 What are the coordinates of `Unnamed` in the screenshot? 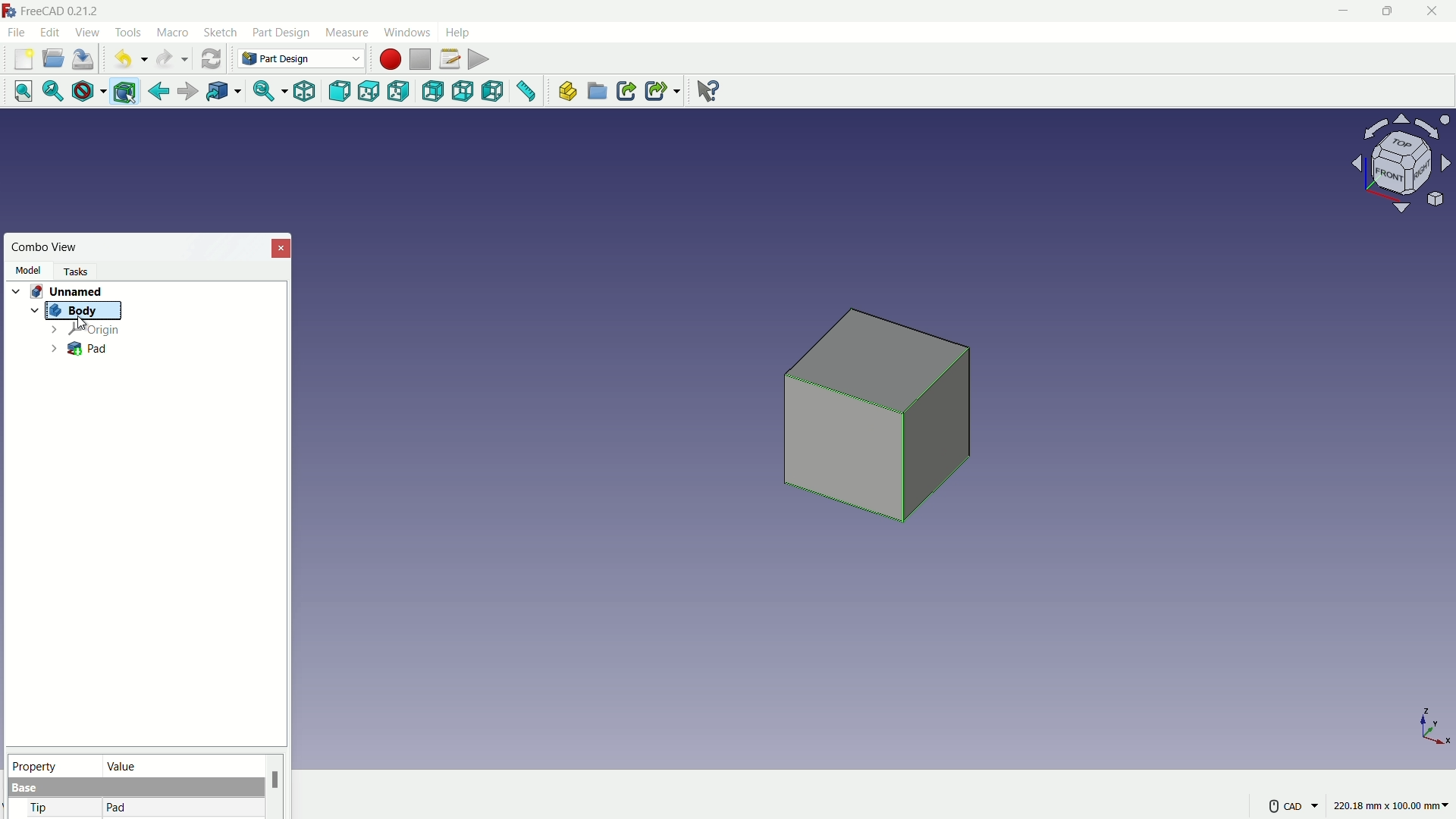 It's located at (72, 290).